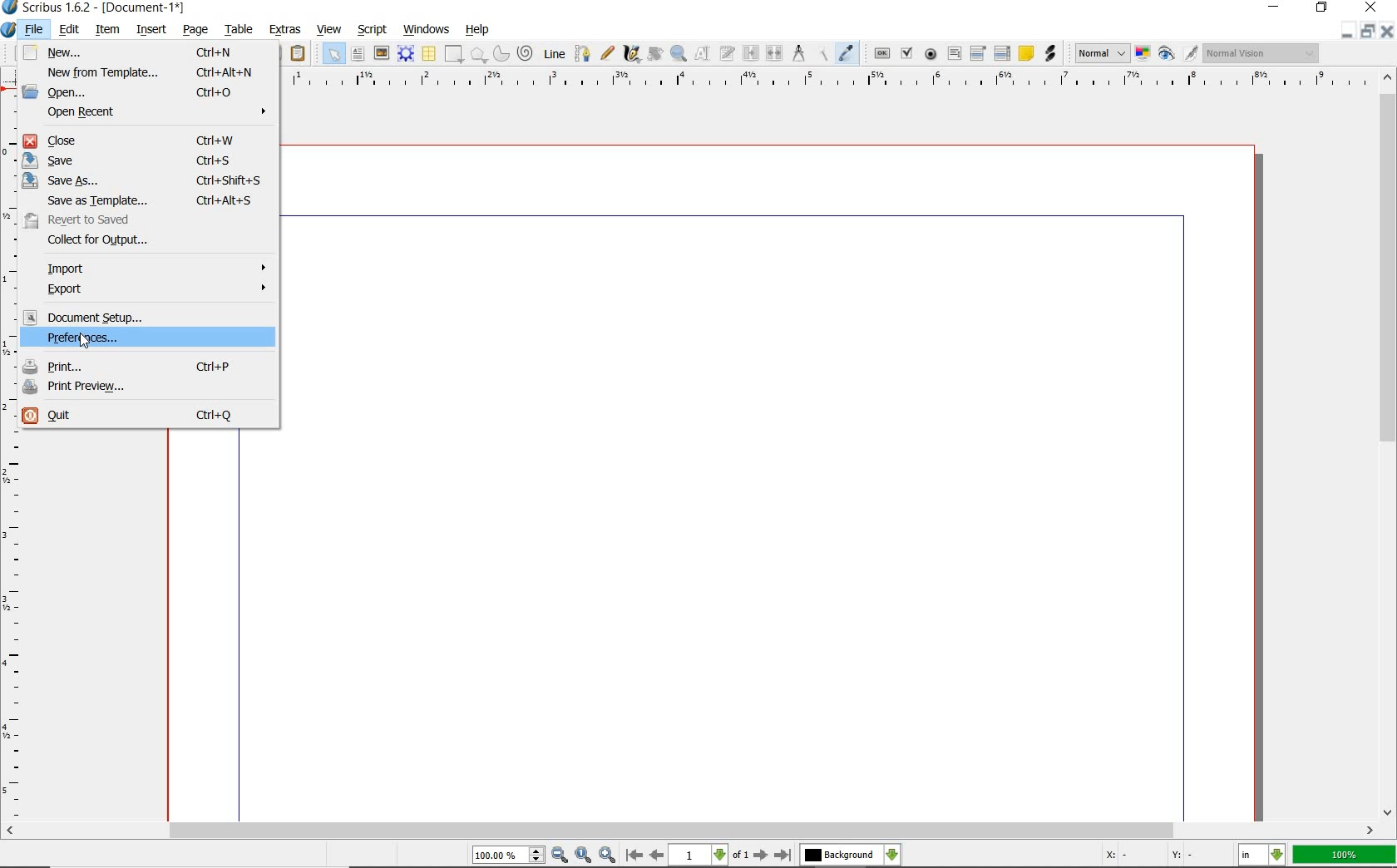 The image size is (1397, 868). Describe the element at coordinates (1001, 54) in the screenshot. I see `pdf list box` at that location.